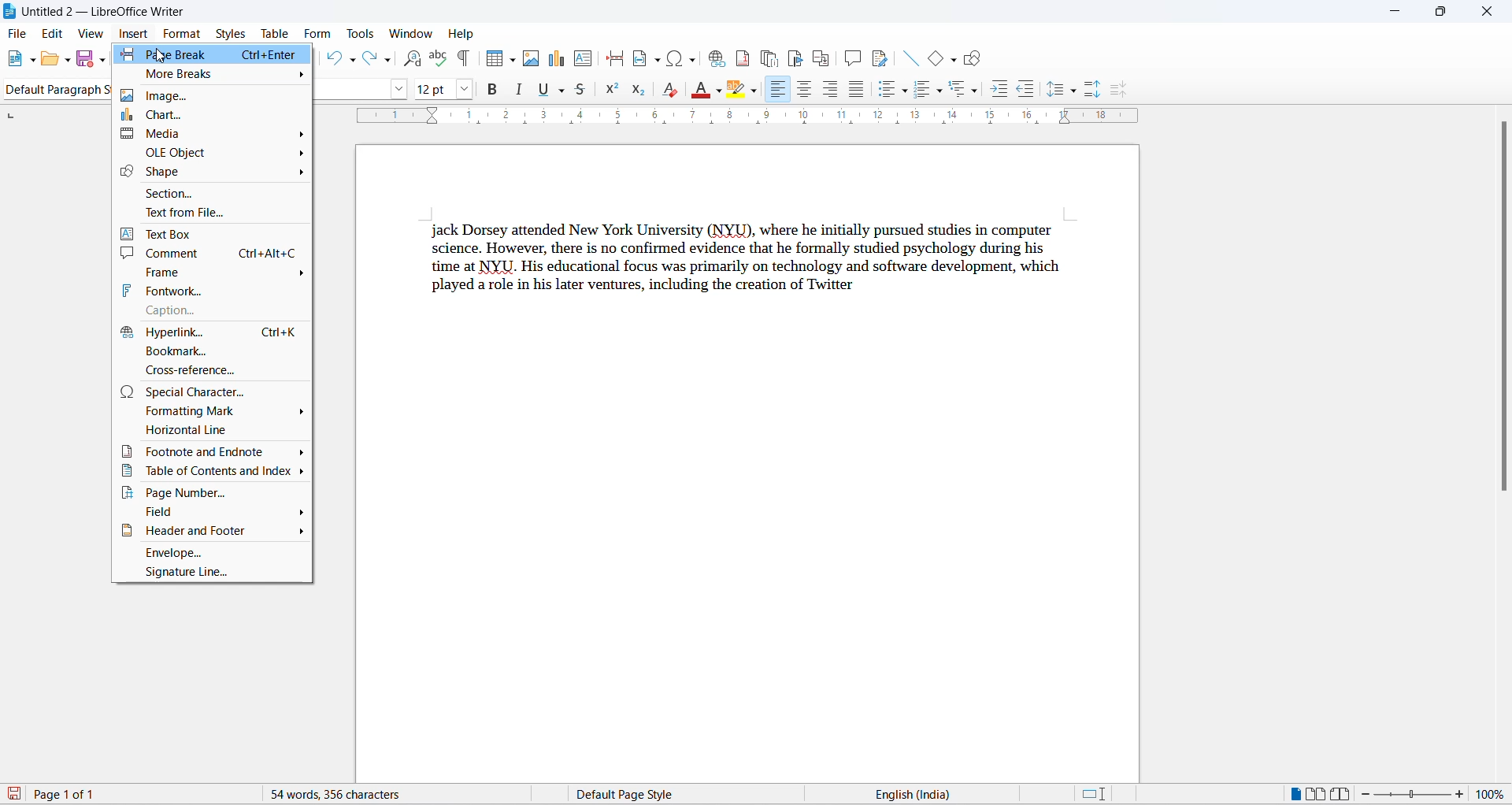 This screenshot has height=805, width=1512. Describe the element at coordinates (212, 533) in the screenshot. I see `header and footer` at that location.